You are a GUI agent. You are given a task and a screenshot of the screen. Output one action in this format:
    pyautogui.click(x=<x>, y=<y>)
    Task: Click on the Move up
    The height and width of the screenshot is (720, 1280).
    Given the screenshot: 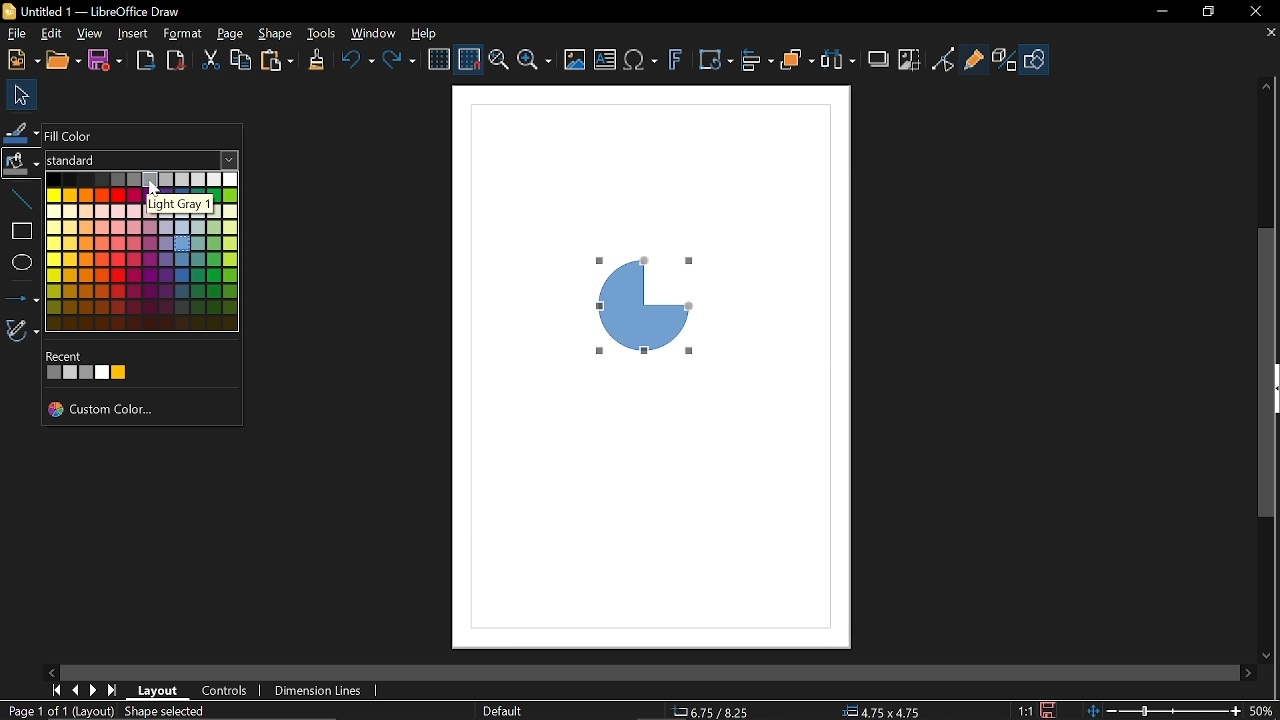 What is the action you would take?
    pyautogui.click(x=1267, y=84)
    